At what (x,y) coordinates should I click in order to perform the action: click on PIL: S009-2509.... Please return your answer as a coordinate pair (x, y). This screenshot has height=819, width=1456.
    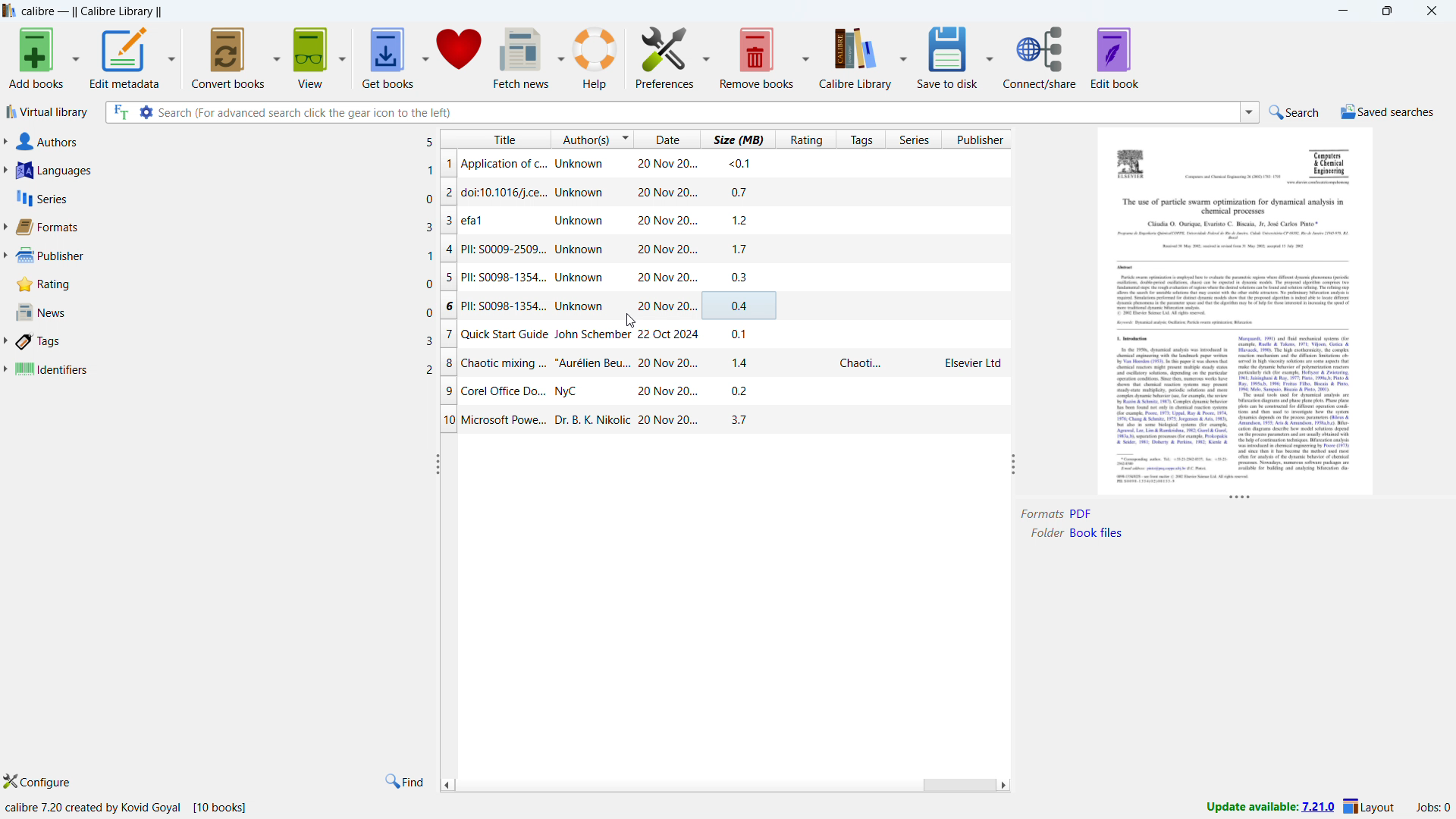
    Looking at the image, I should click on (732, 251).